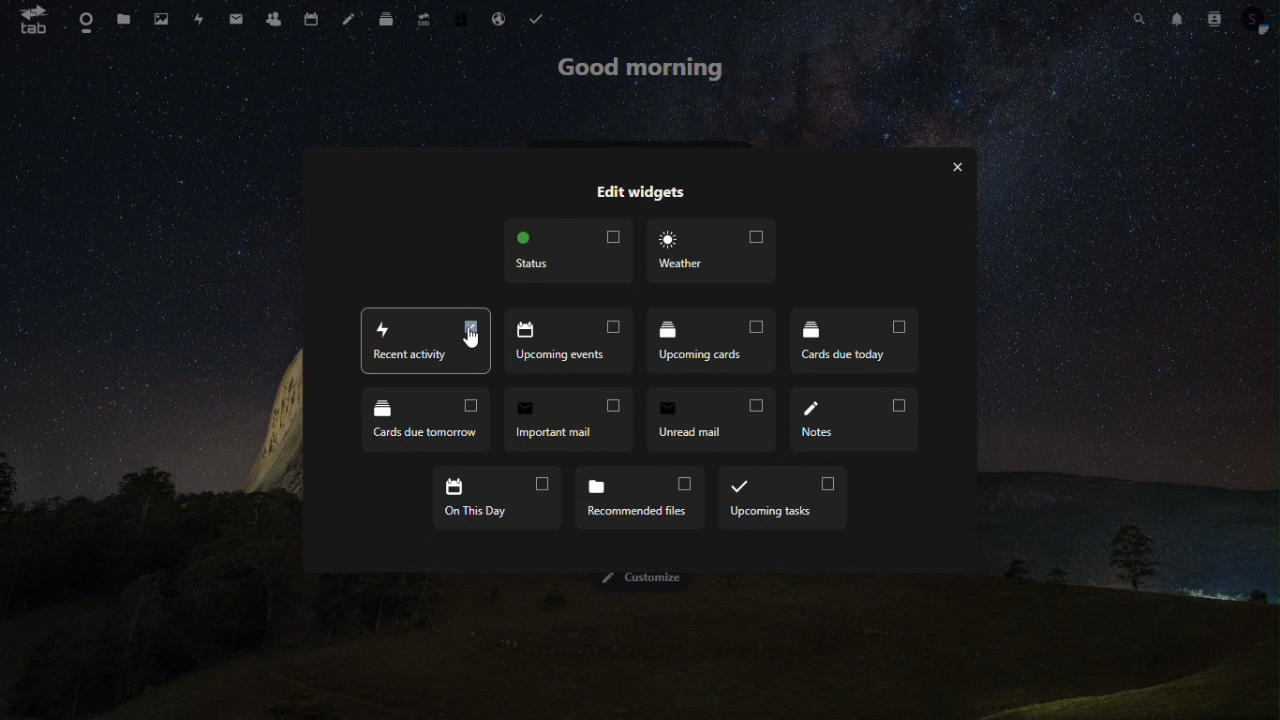  I want to click on mail hosting, so click(502, 16).